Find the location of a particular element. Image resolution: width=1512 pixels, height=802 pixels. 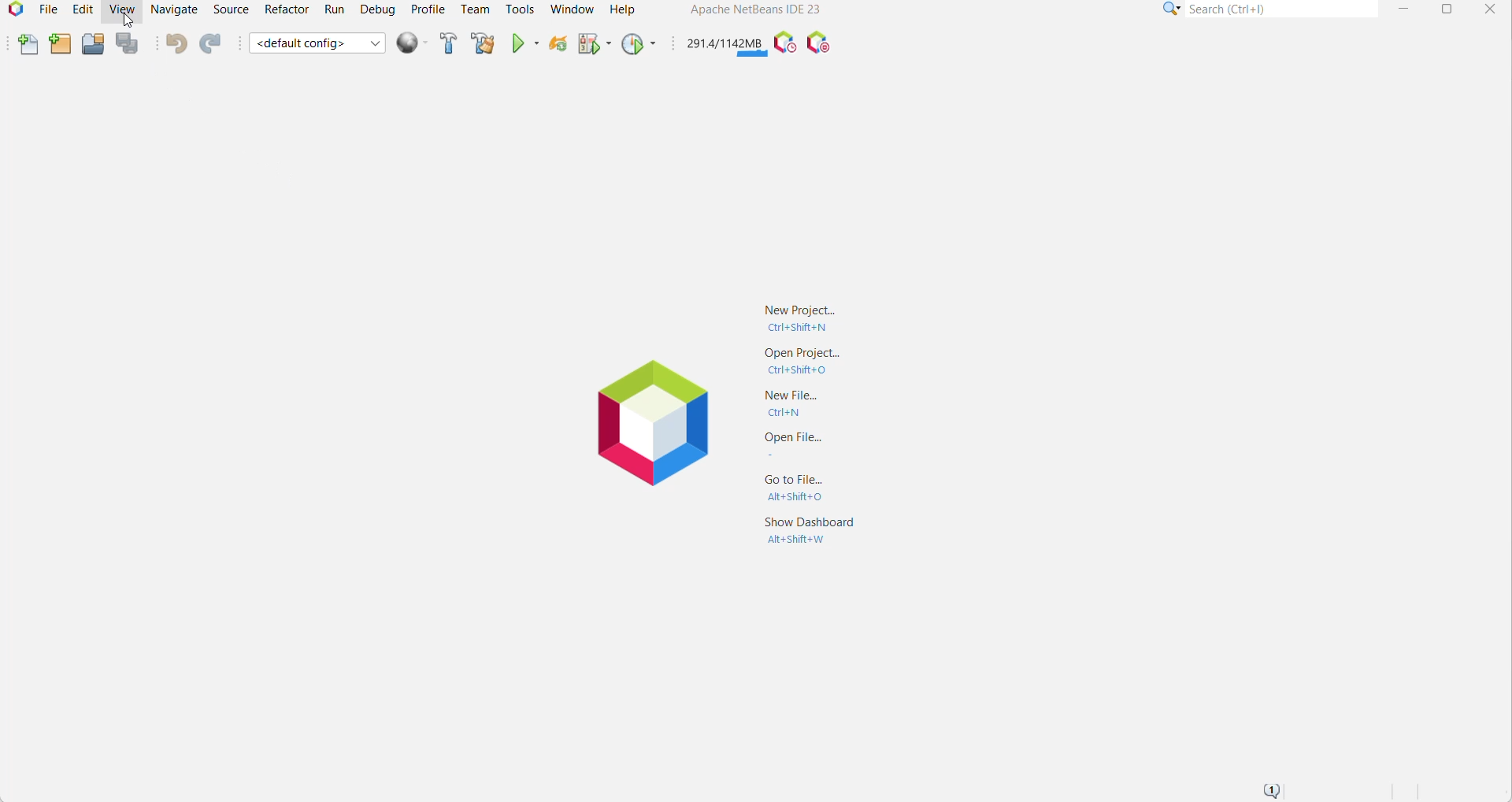

Clean and Build Main Project is located at coordinates (483, 44).